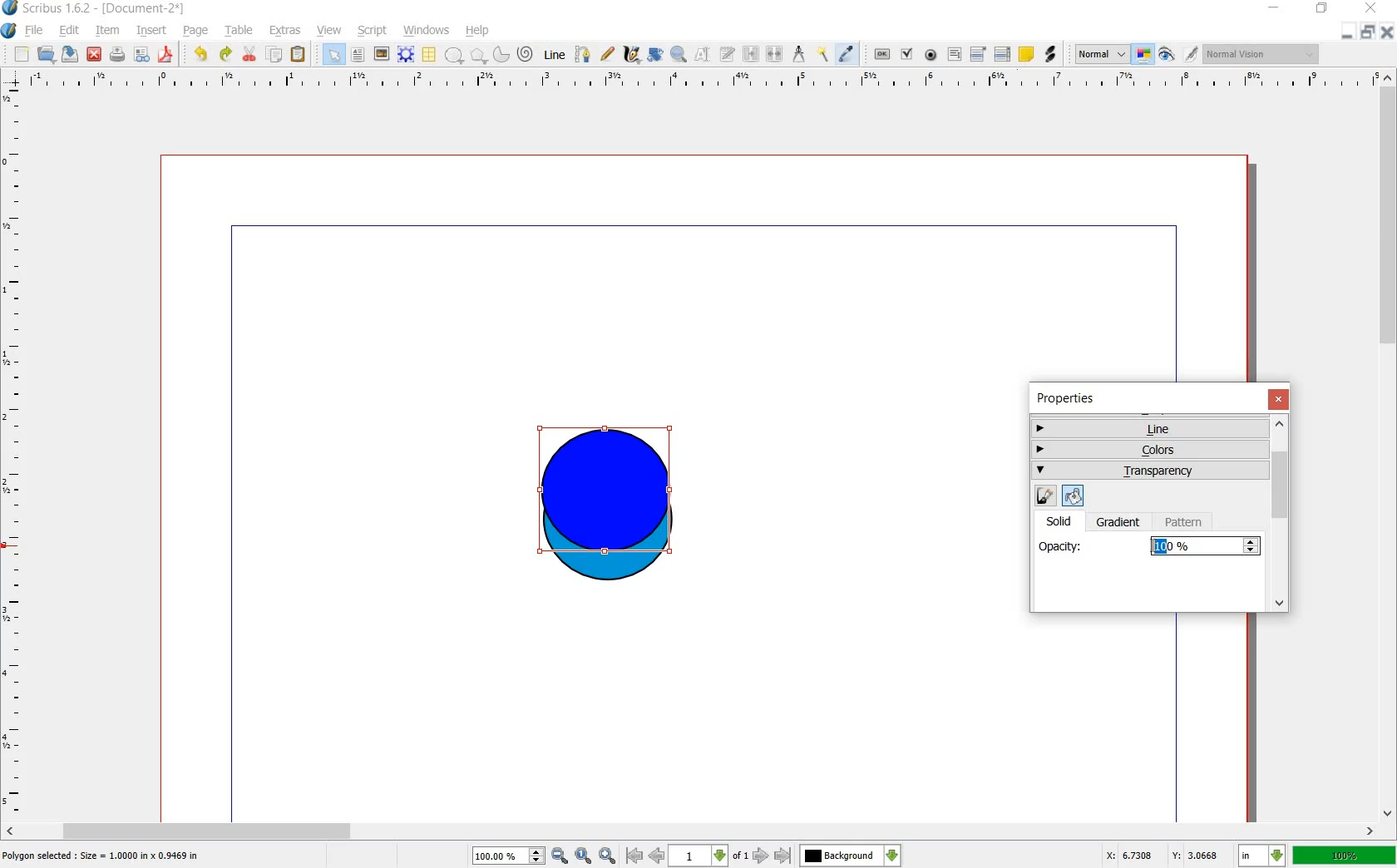 This screenshot has width=1397, height=868. I want to click on pdf list box, so click(1002, 52).